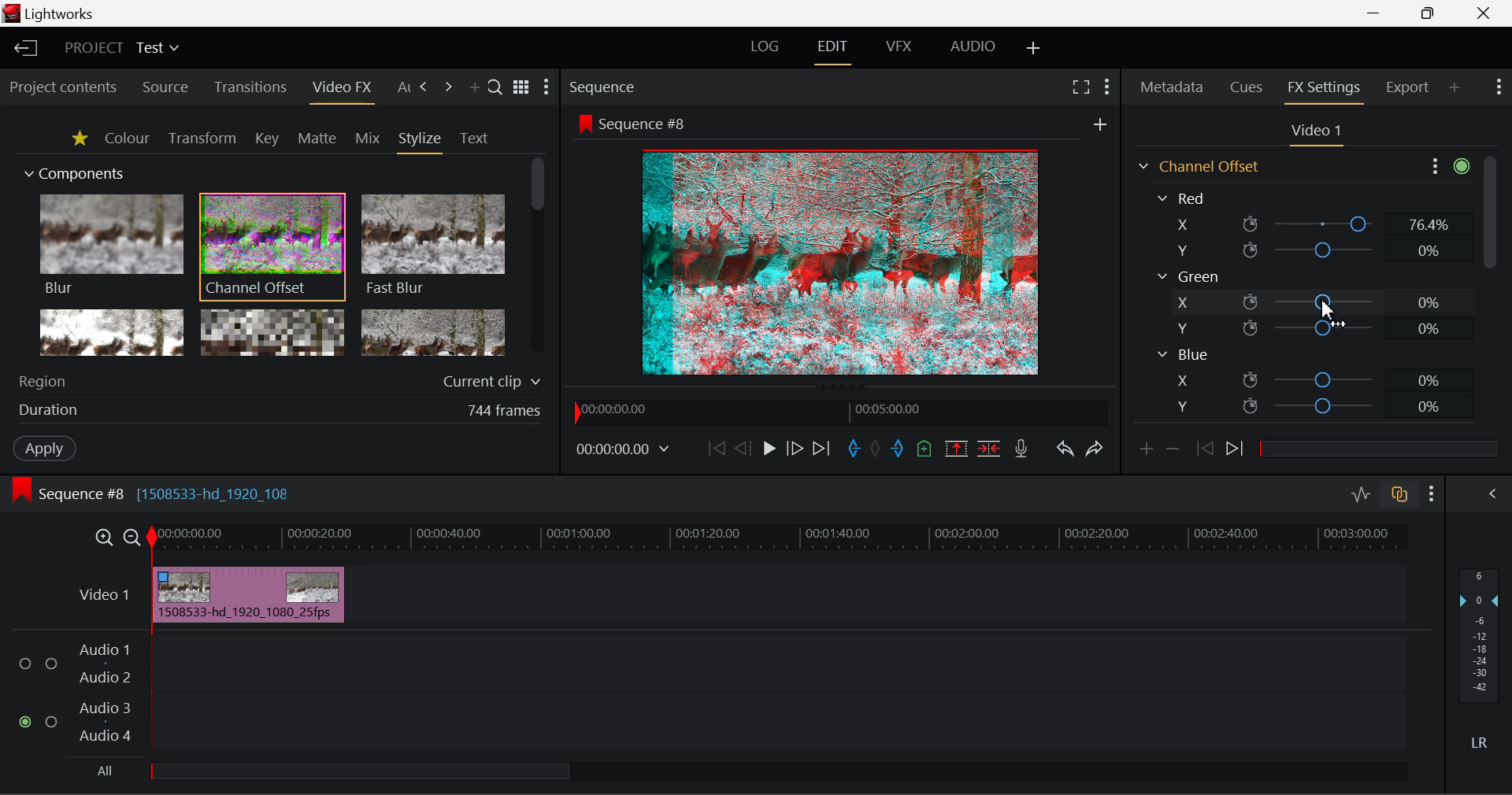 Image resolution: width=1512 pixels, height=795 pixels. I want to click on Play, so click(767, 449).